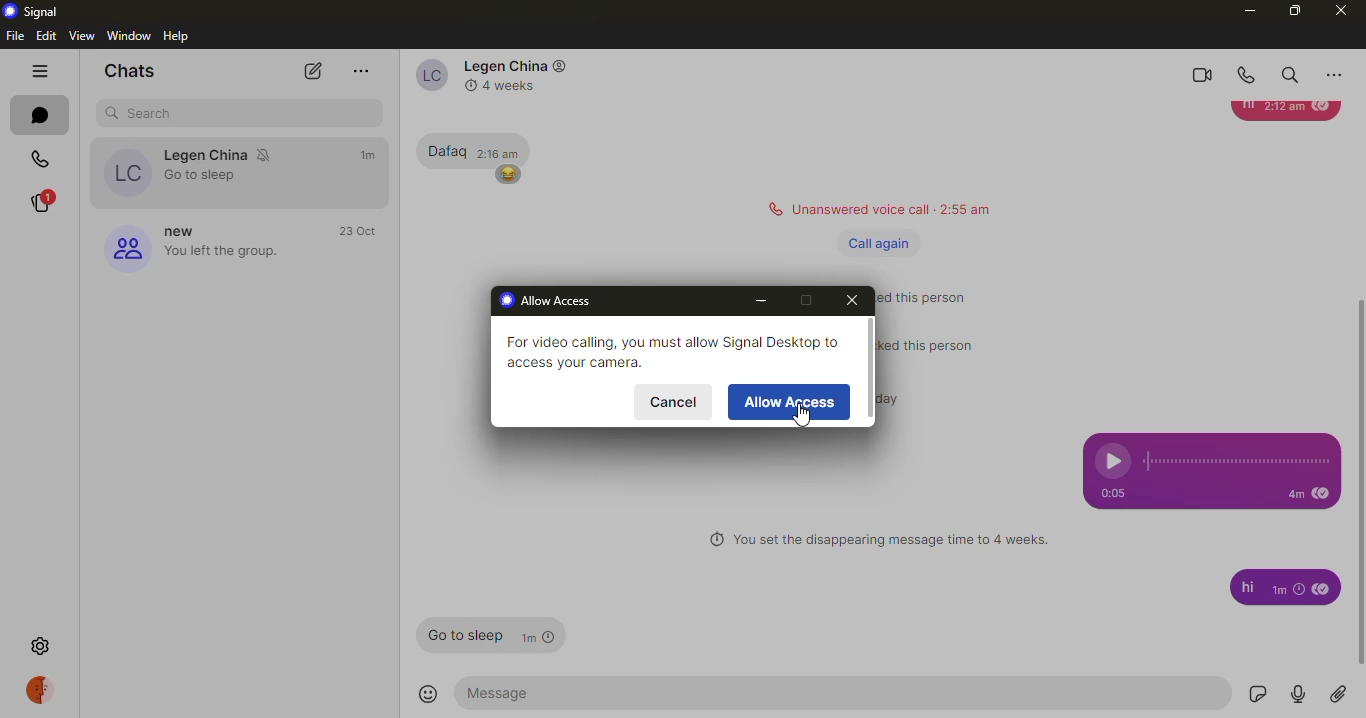 The width and height of the screenshot is (1366, 718). What do you see at coordinates (356, 231) in the screenshot?
I see `time` at bounding box center [356, 231].